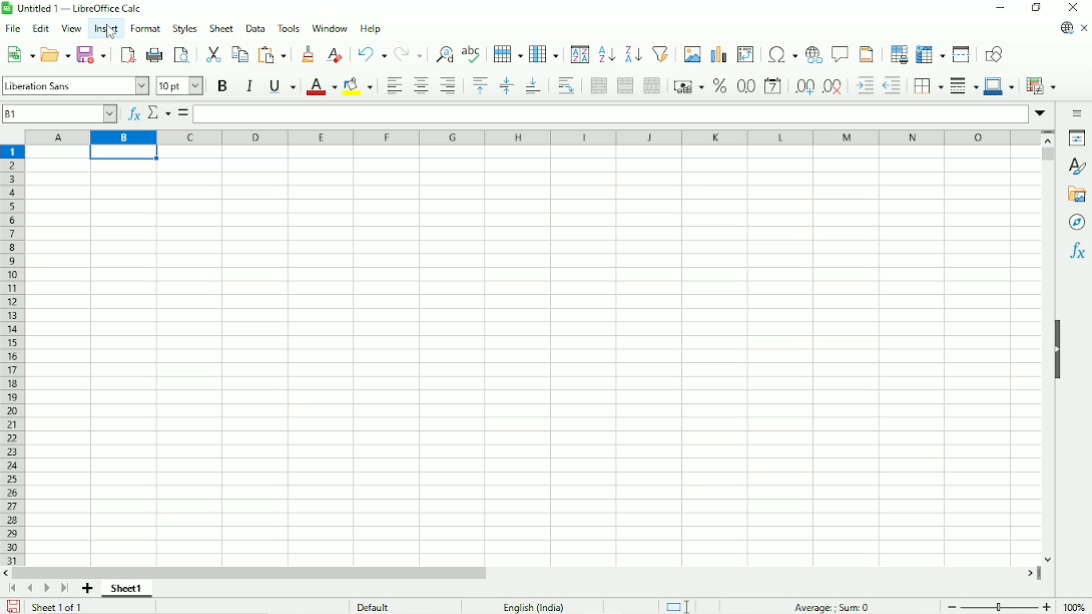  Describe the element at coordinates (505, 85) in the screenshot. I see `Center vertically` at that location.